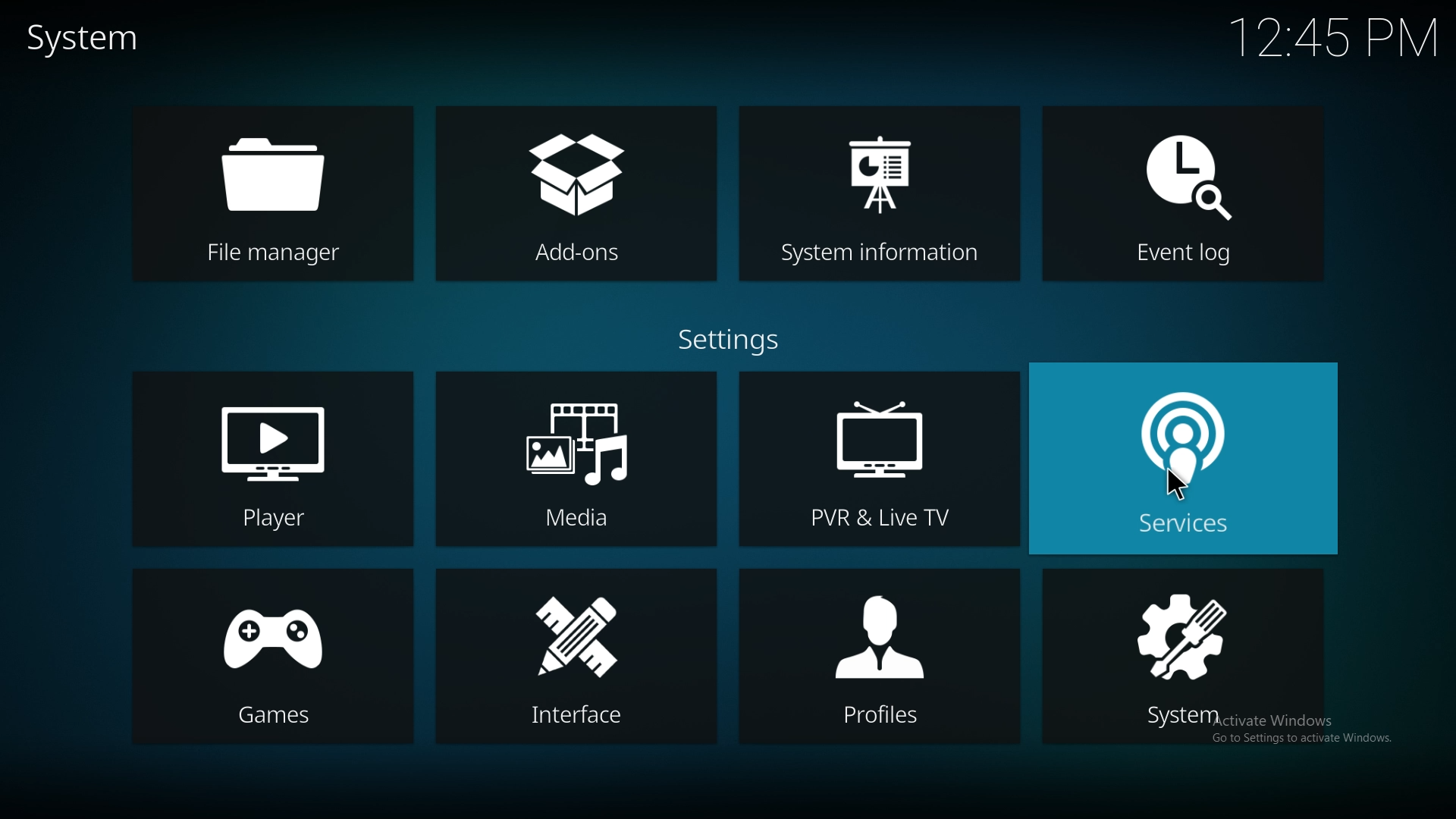 The height and width of the screenshot is (819, 1456). I want to click on interface, so click(574, 657).